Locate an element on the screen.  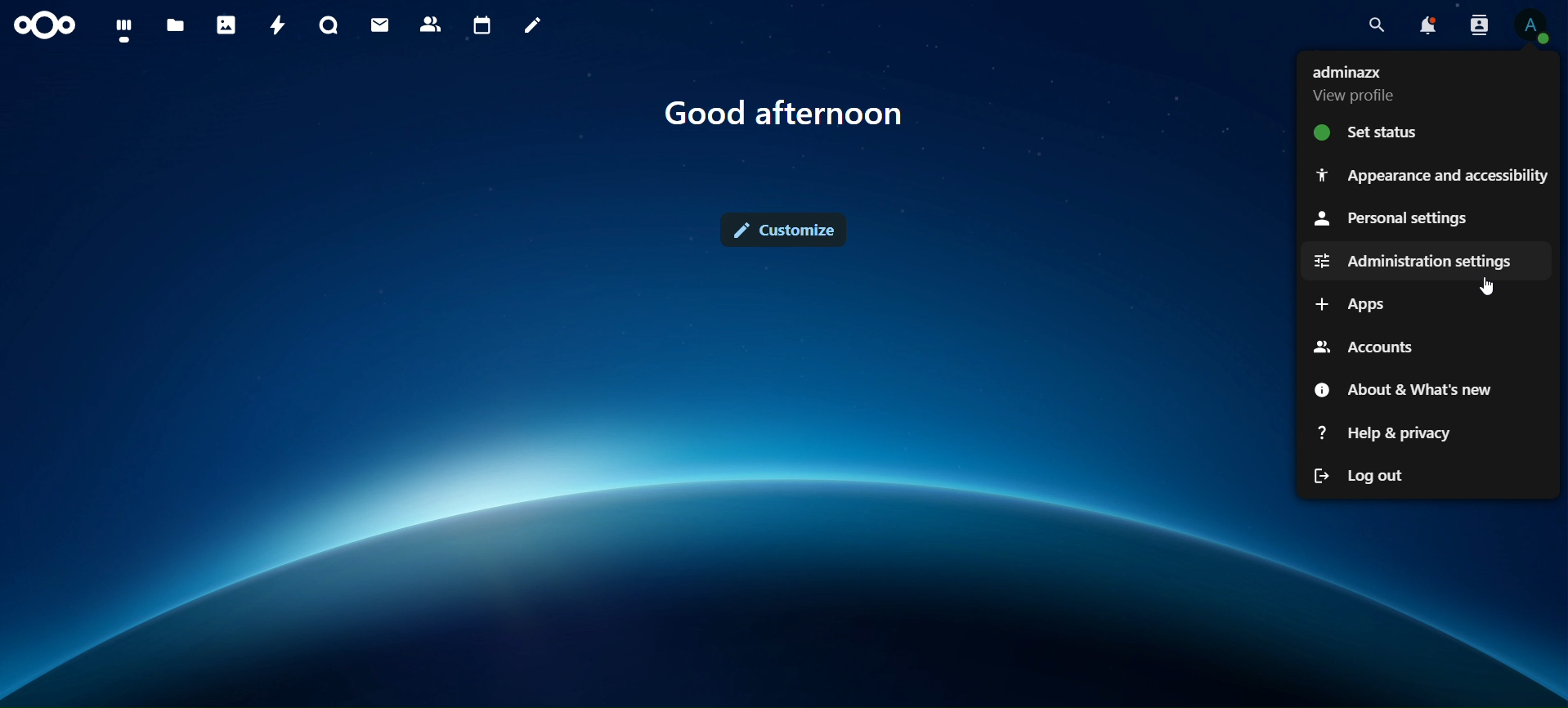
text is located at coordinates (785, 114).